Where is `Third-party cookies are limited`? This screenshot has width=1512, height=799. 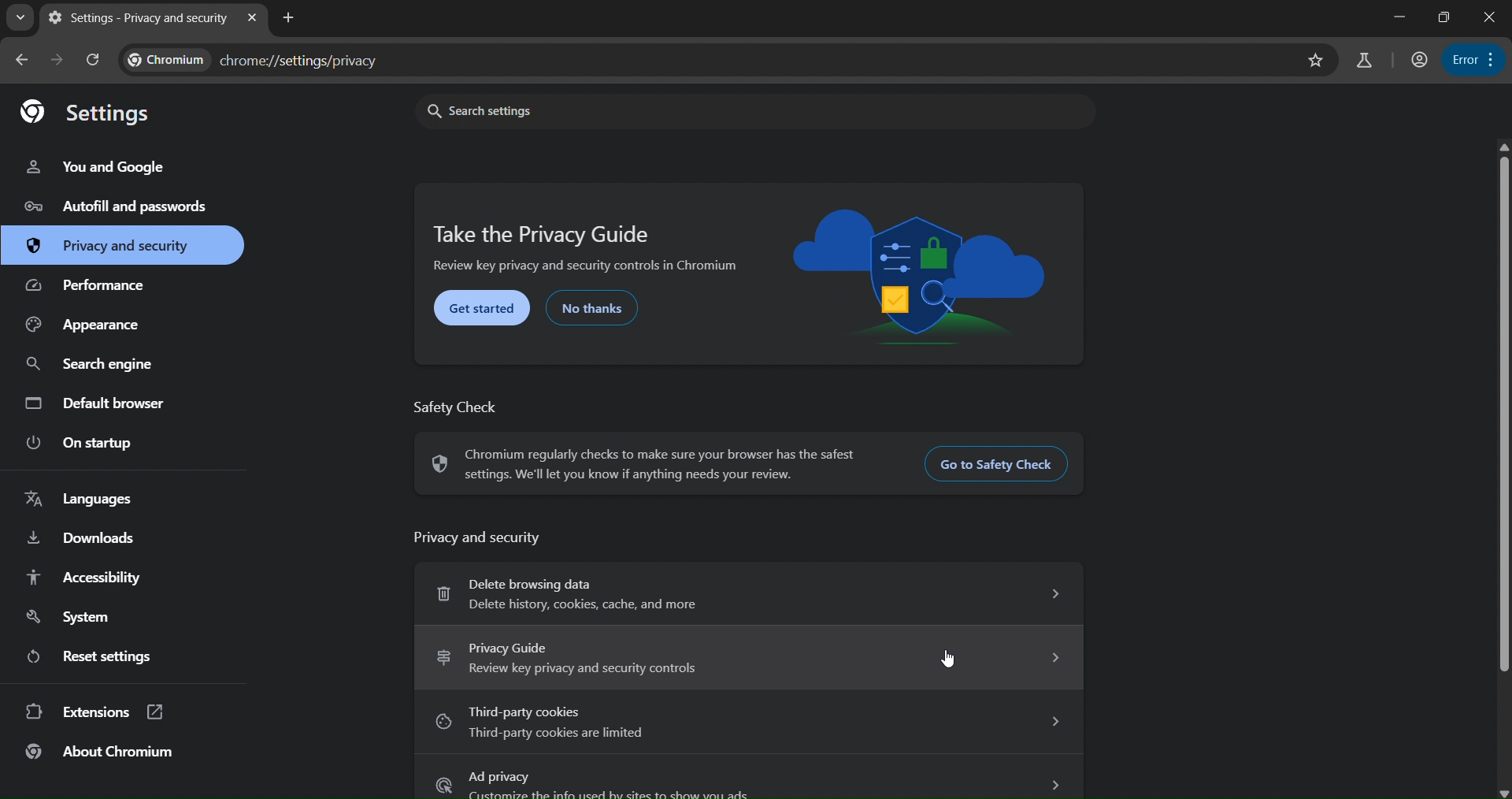 Third-party cookies are limited is located at coordinates (746, 725).